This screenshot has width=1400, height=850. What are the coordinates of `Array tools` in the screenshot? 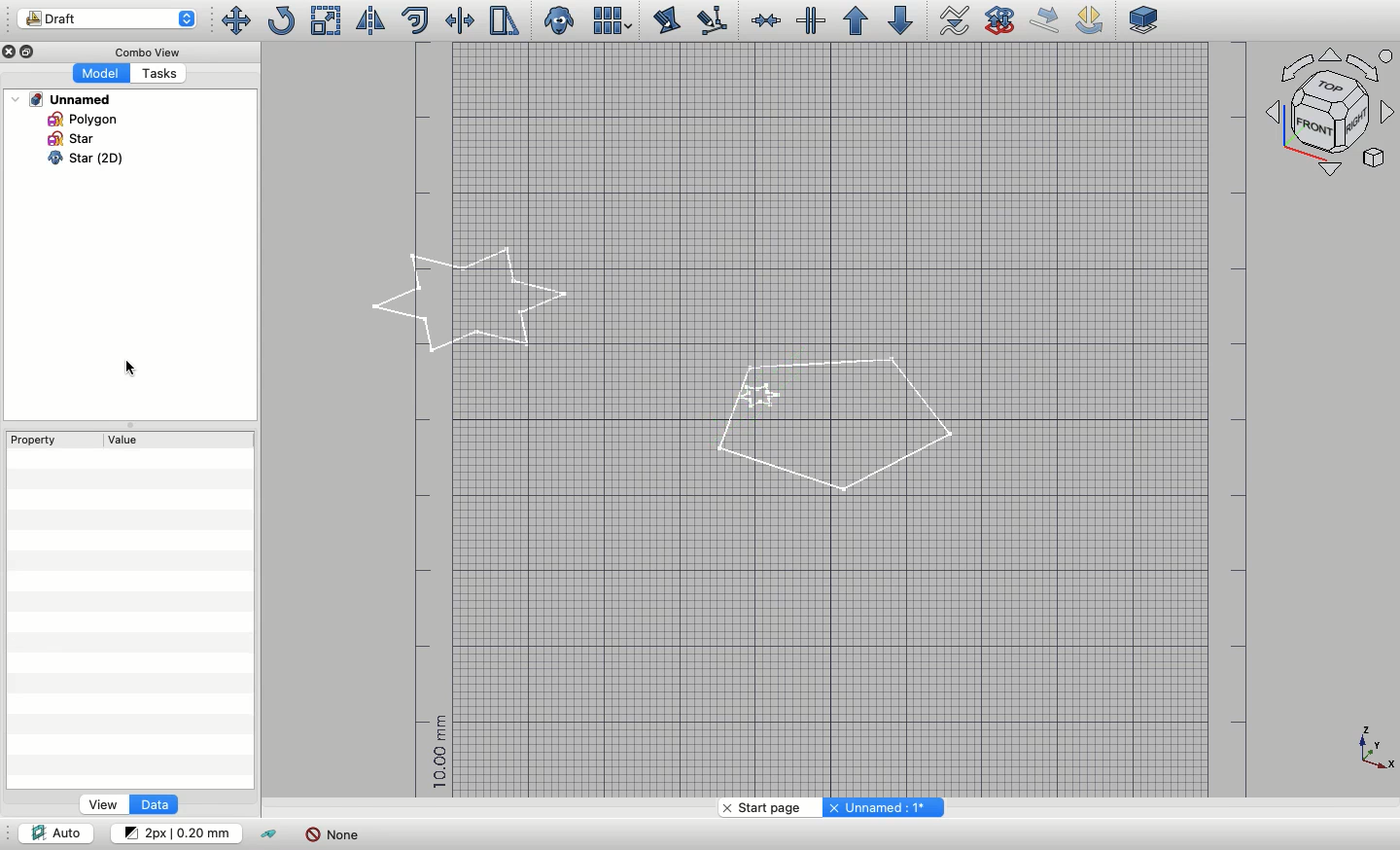 It's located at (610, 20).